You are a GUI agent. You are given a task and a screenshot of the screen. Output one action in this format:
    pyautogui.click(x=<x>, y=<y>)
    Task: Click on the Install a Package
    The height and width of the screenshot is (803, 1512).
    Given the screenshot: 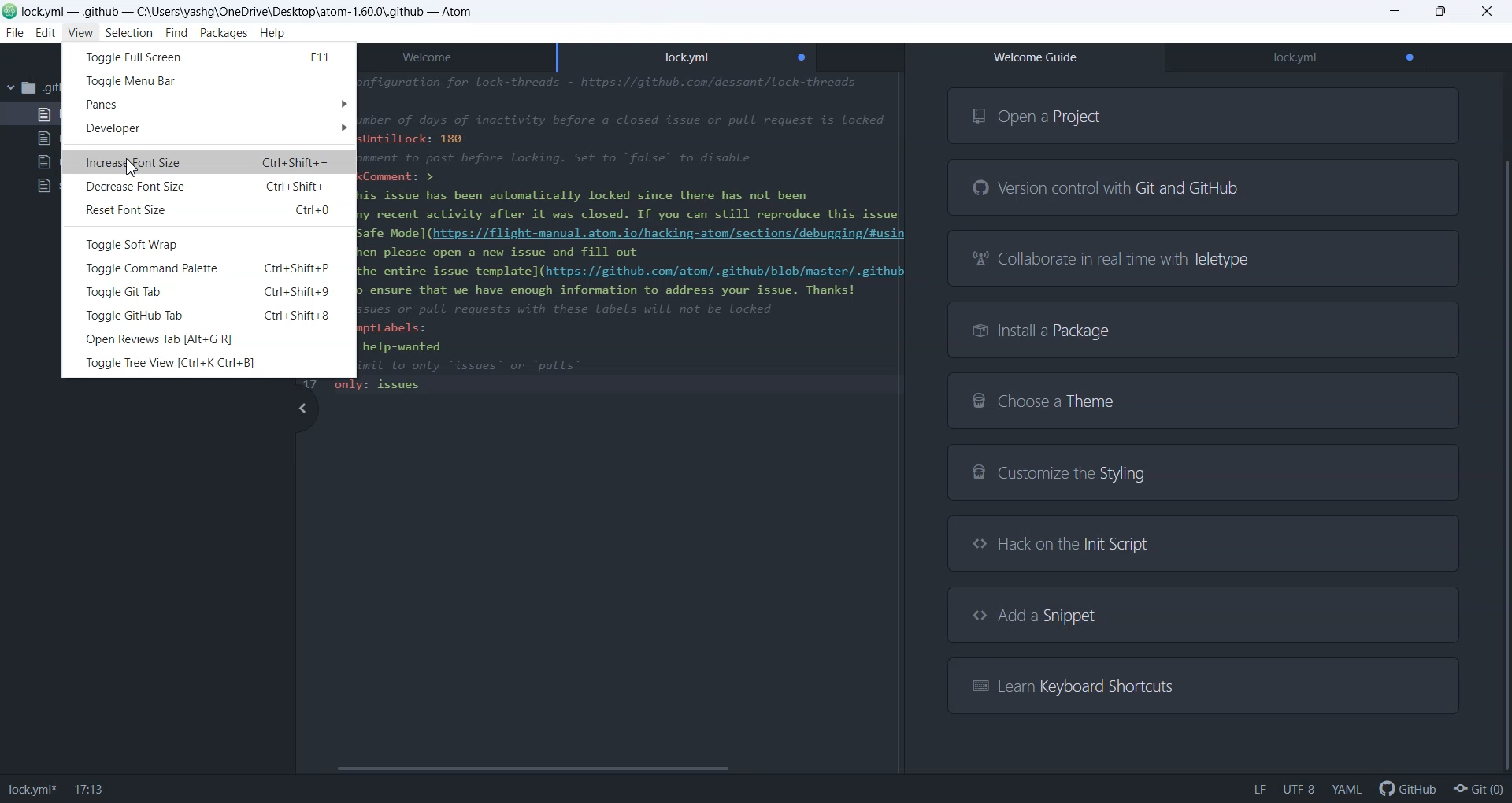 What is the action you would take?
    pyautogui.click(x=1205, y=329)
    